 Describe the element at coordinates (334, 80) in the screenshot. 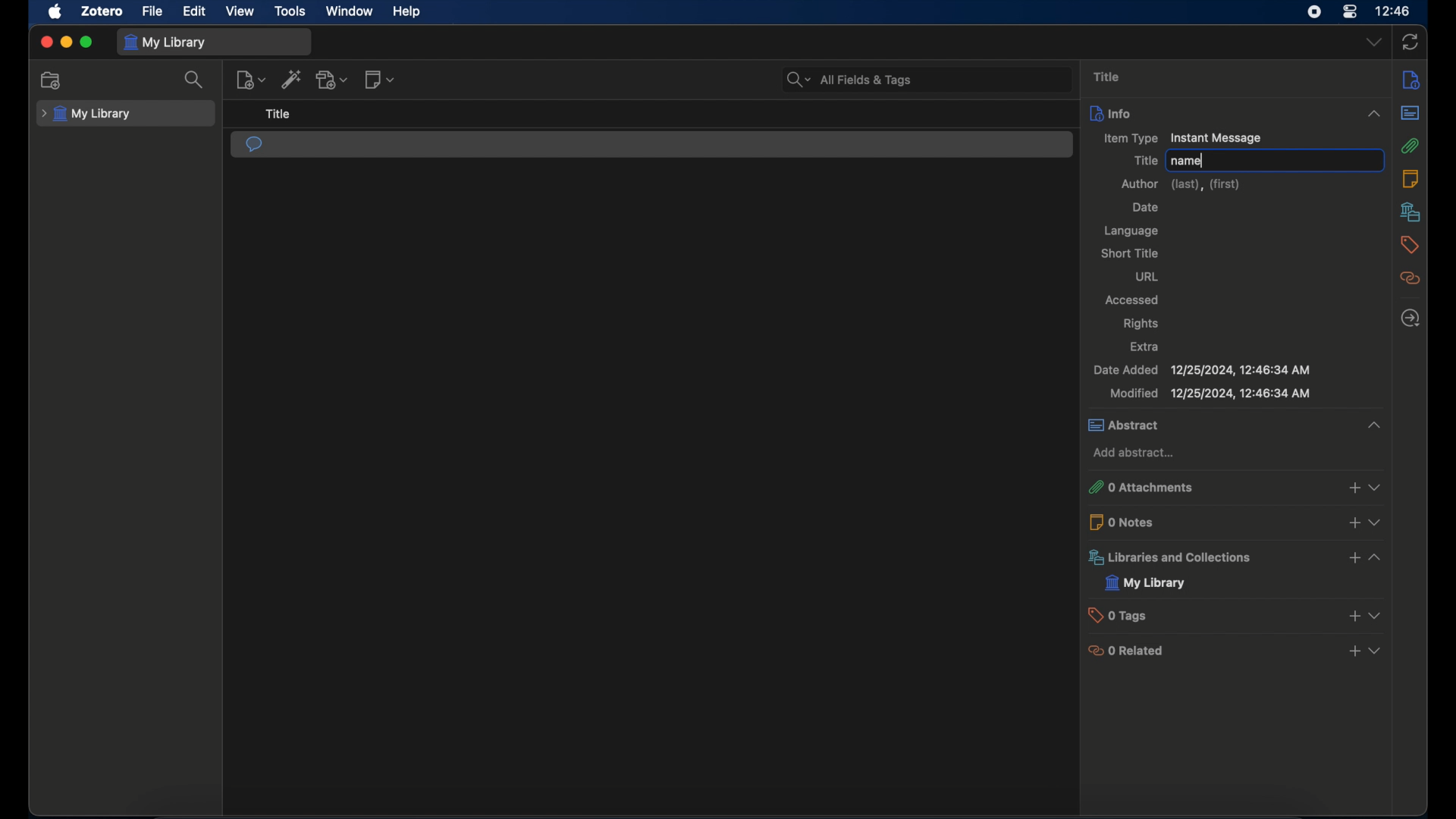

I see `add attachment` at that location.